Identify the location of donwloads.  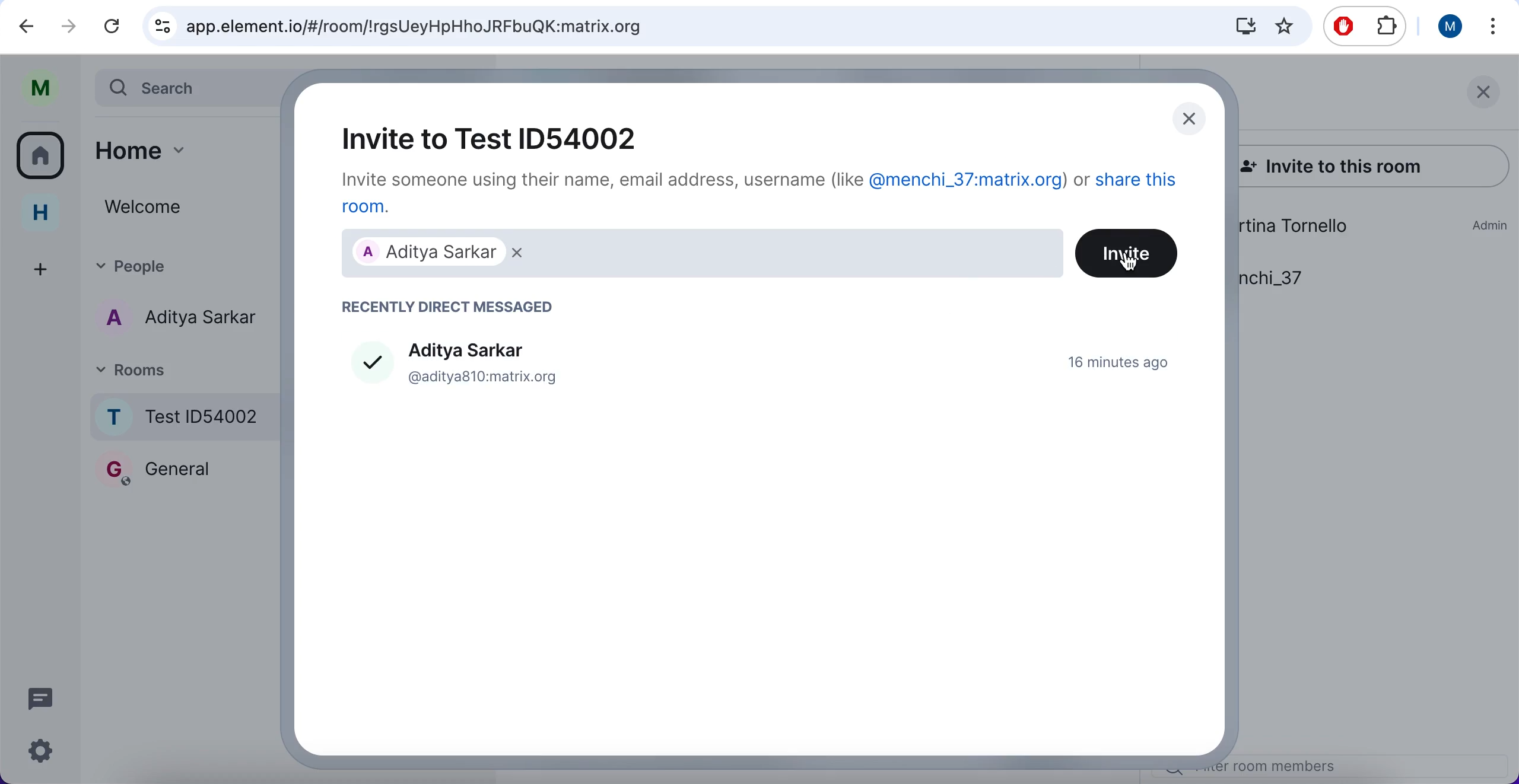
(1242, 27).